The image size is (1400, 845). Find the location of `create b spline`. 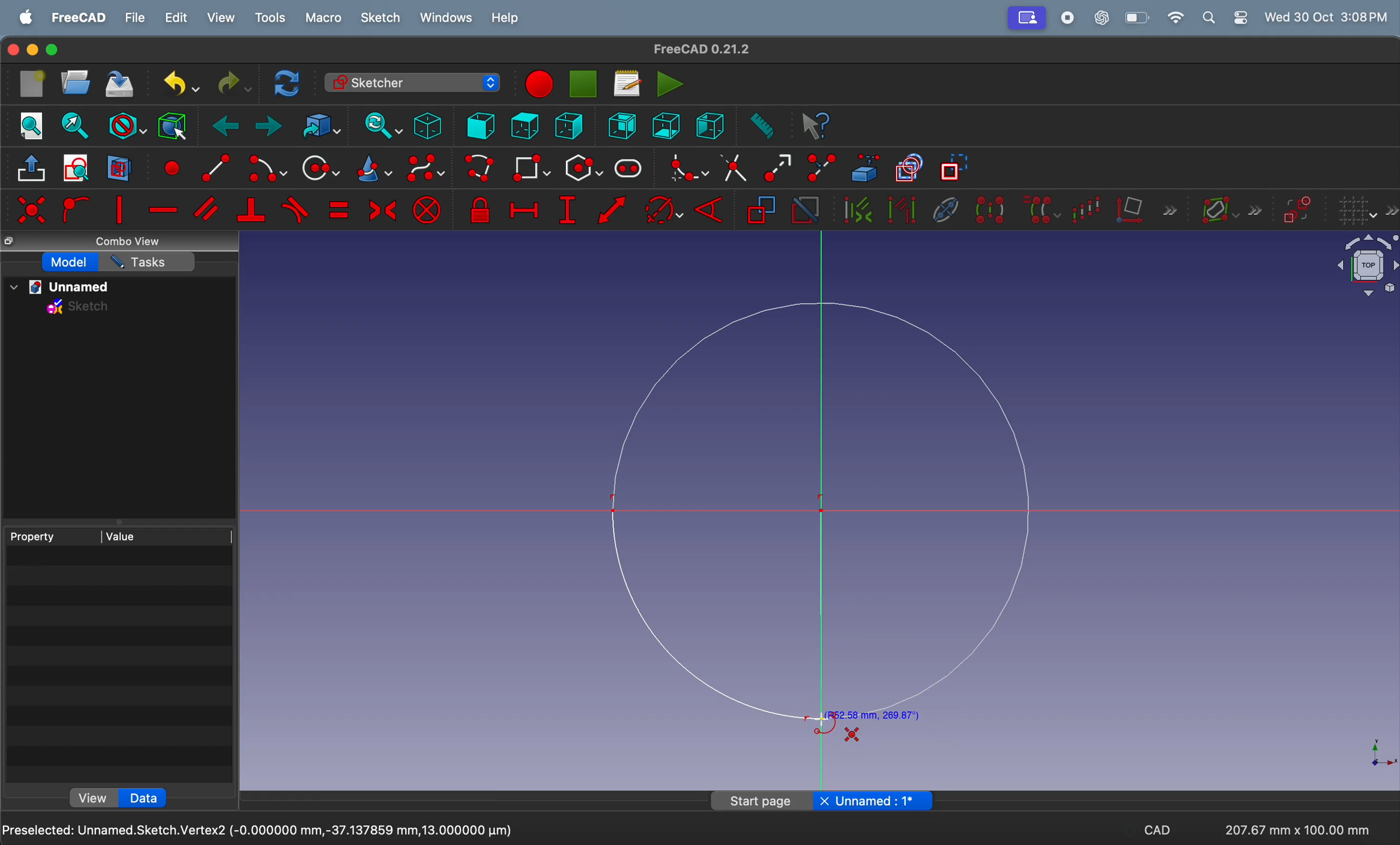

create b spline is located at coordinates (427, 170).